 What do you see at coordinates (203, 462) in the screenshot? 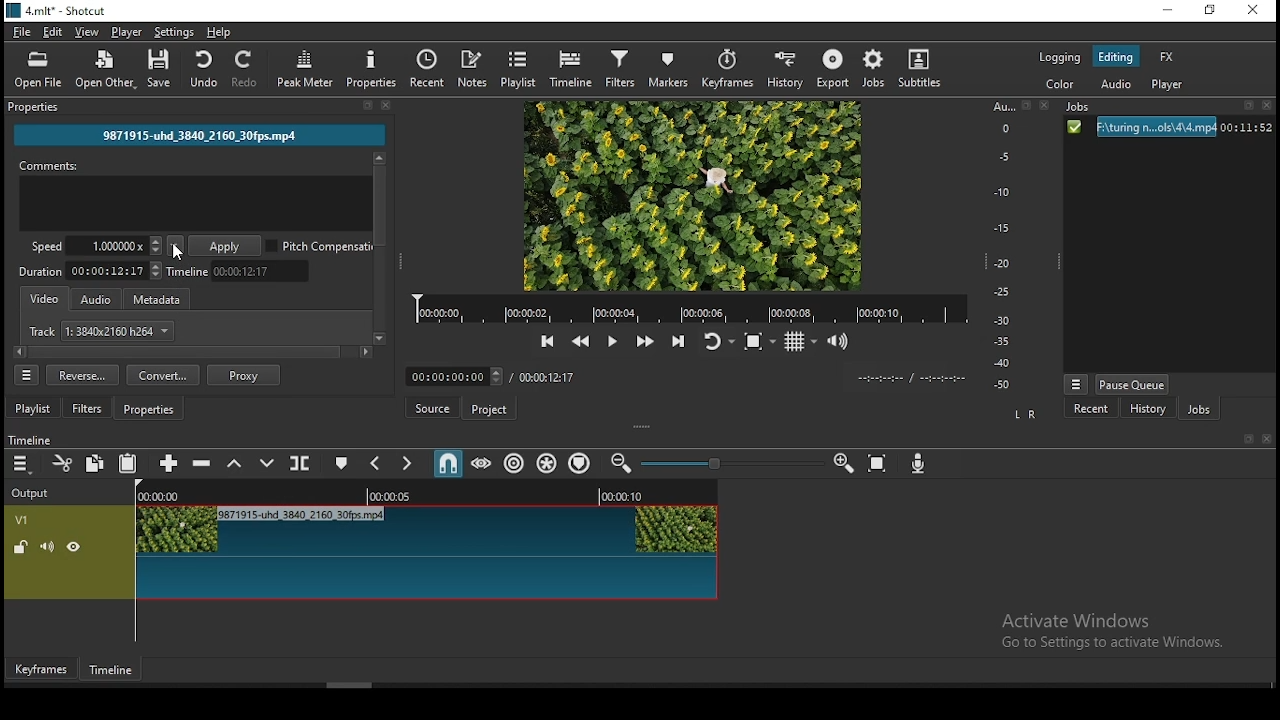
I see `ripple delete` at bounding box center [203, 462].